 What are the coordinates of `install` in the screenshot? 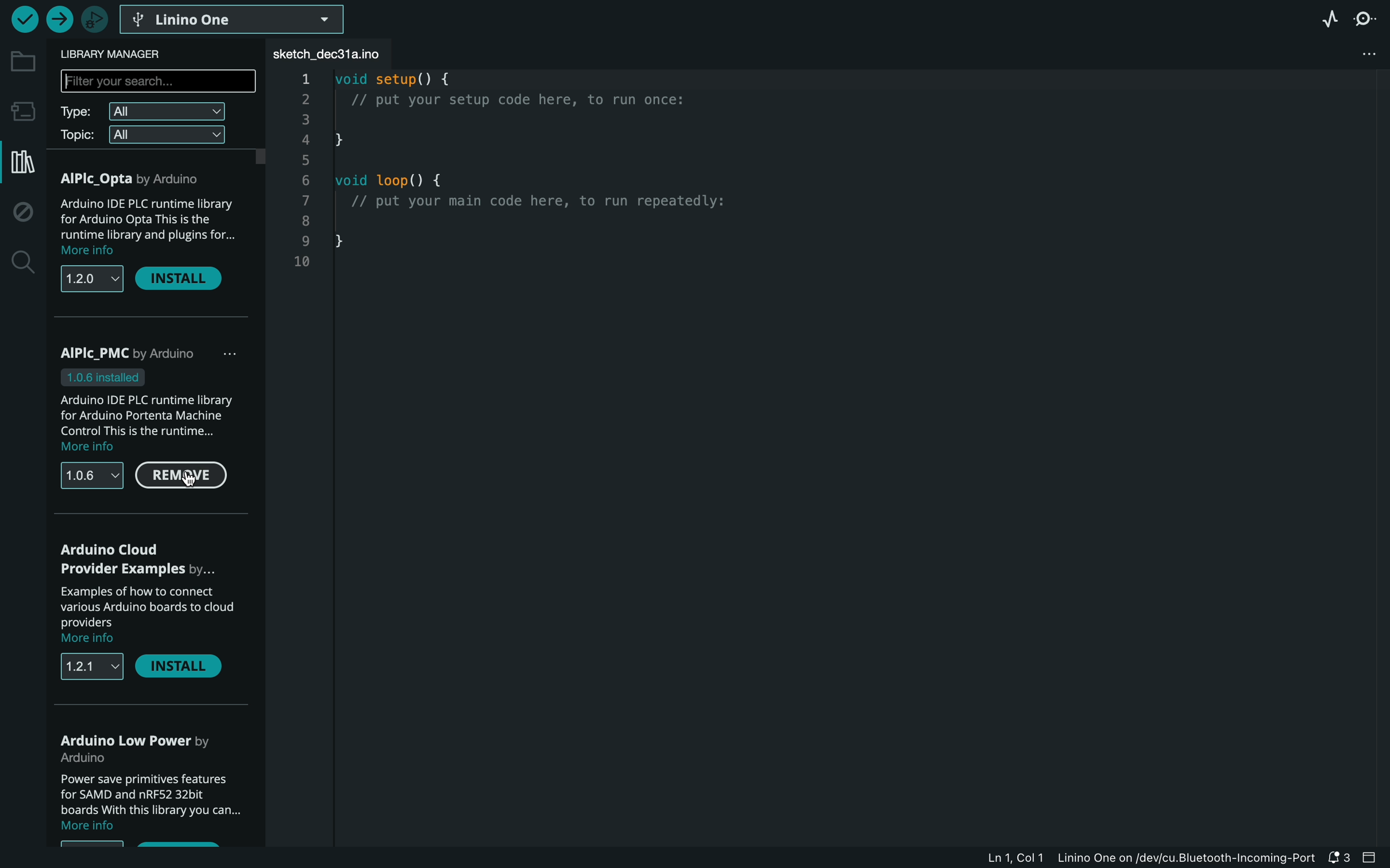 It's located at (179, 673).